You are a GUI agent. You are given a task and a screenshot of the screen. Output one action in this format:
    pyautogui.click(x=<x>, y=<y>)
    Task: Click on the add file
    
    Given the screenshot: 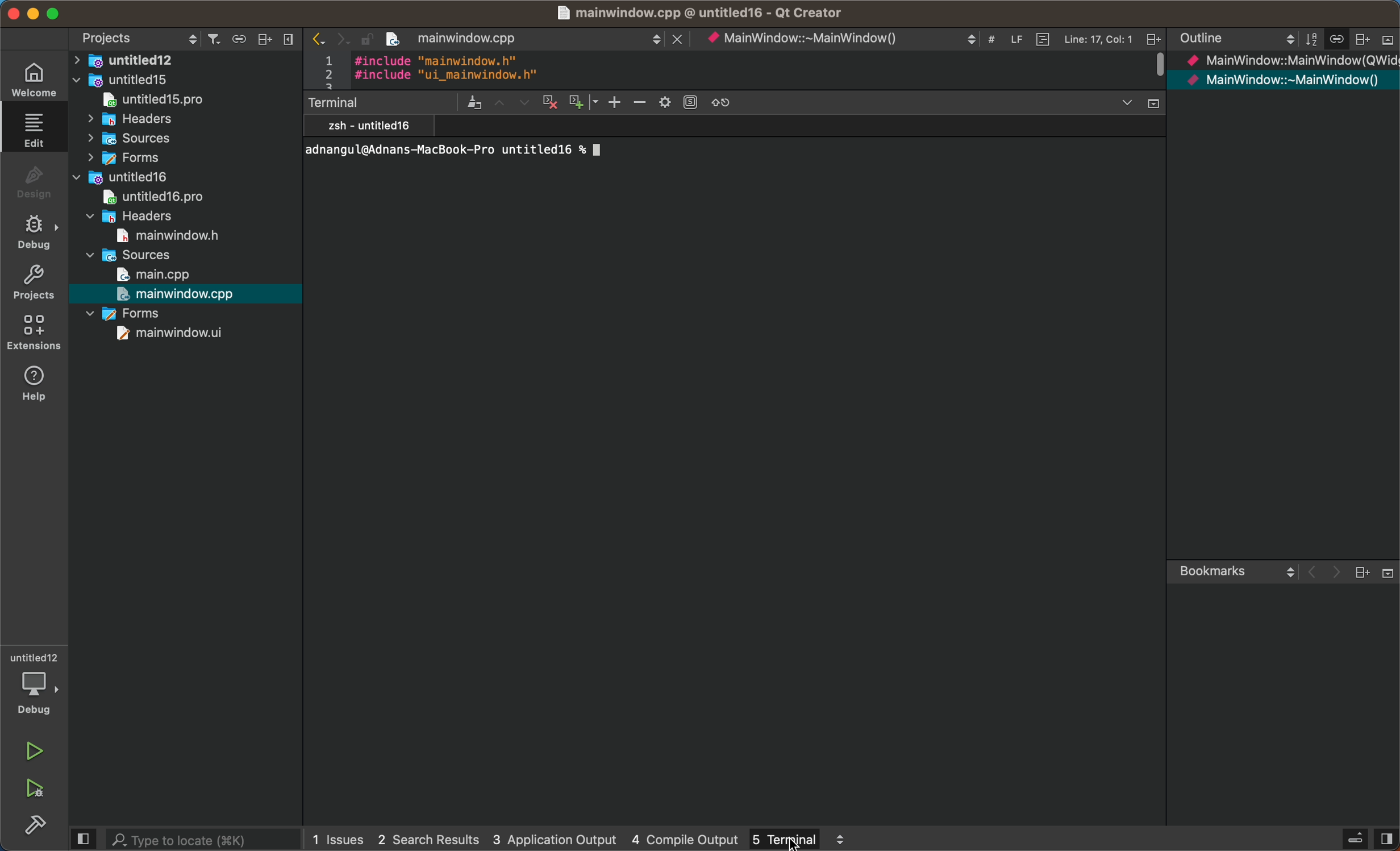 What is the action you would take?
    pyautogui.click(x=265, y=40)
    